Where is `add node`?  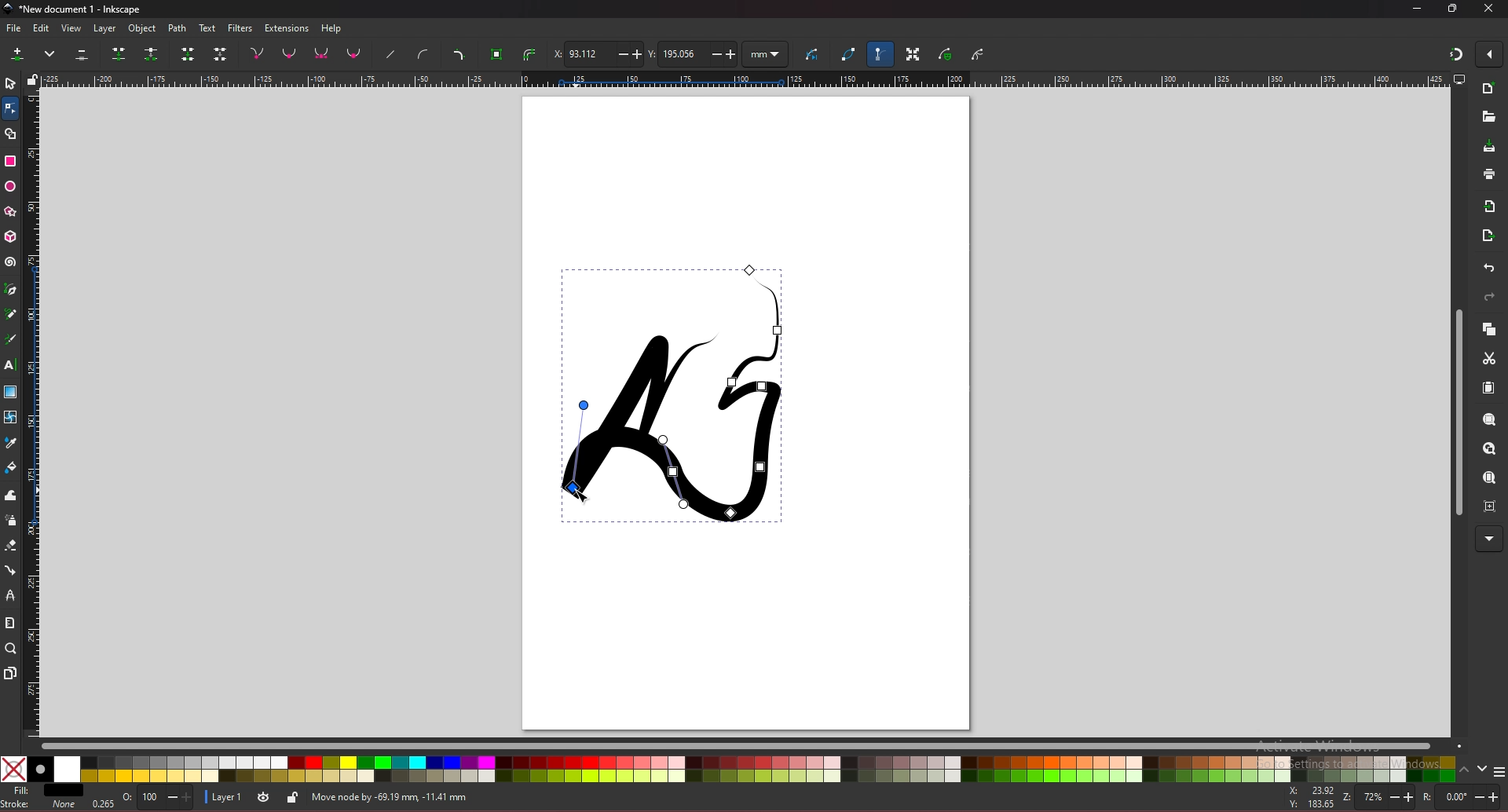
add node is located at coordinates (20, 53).